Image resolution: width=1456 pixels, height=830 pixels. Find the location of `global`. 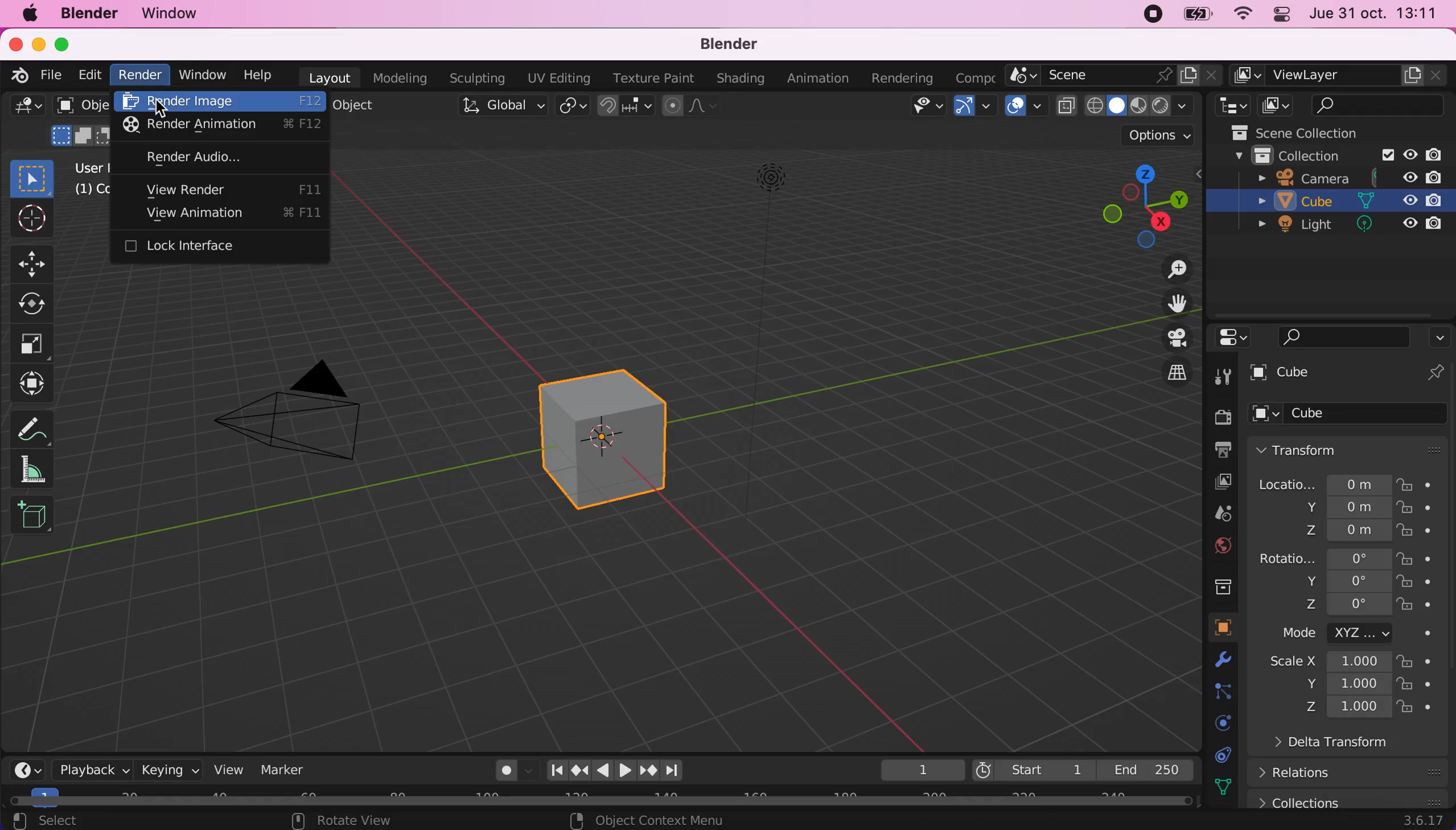

global is located at coordinates (501, 105).